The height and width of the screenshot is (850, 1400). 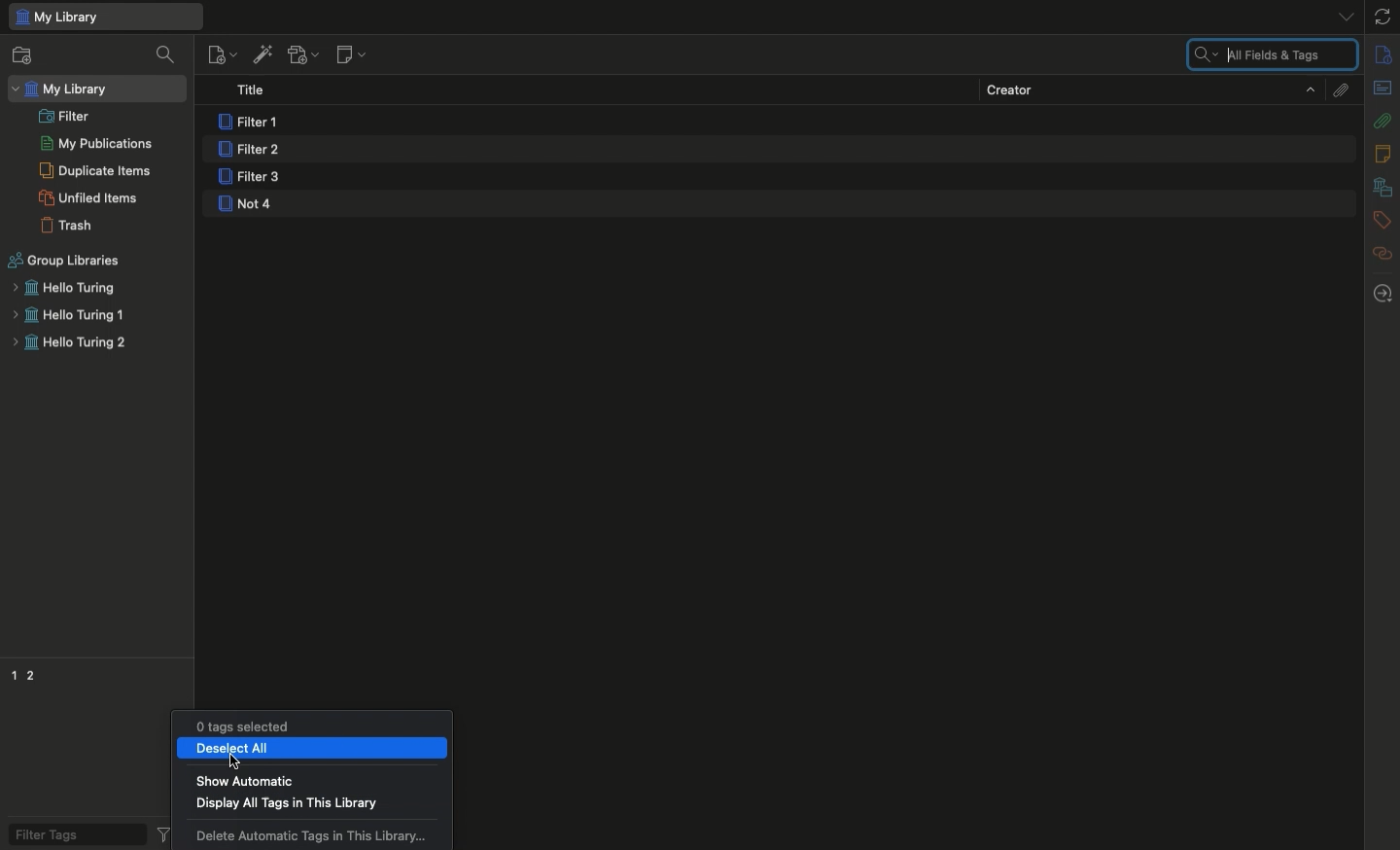 I want to click on New note, so click(x=349, y=55).